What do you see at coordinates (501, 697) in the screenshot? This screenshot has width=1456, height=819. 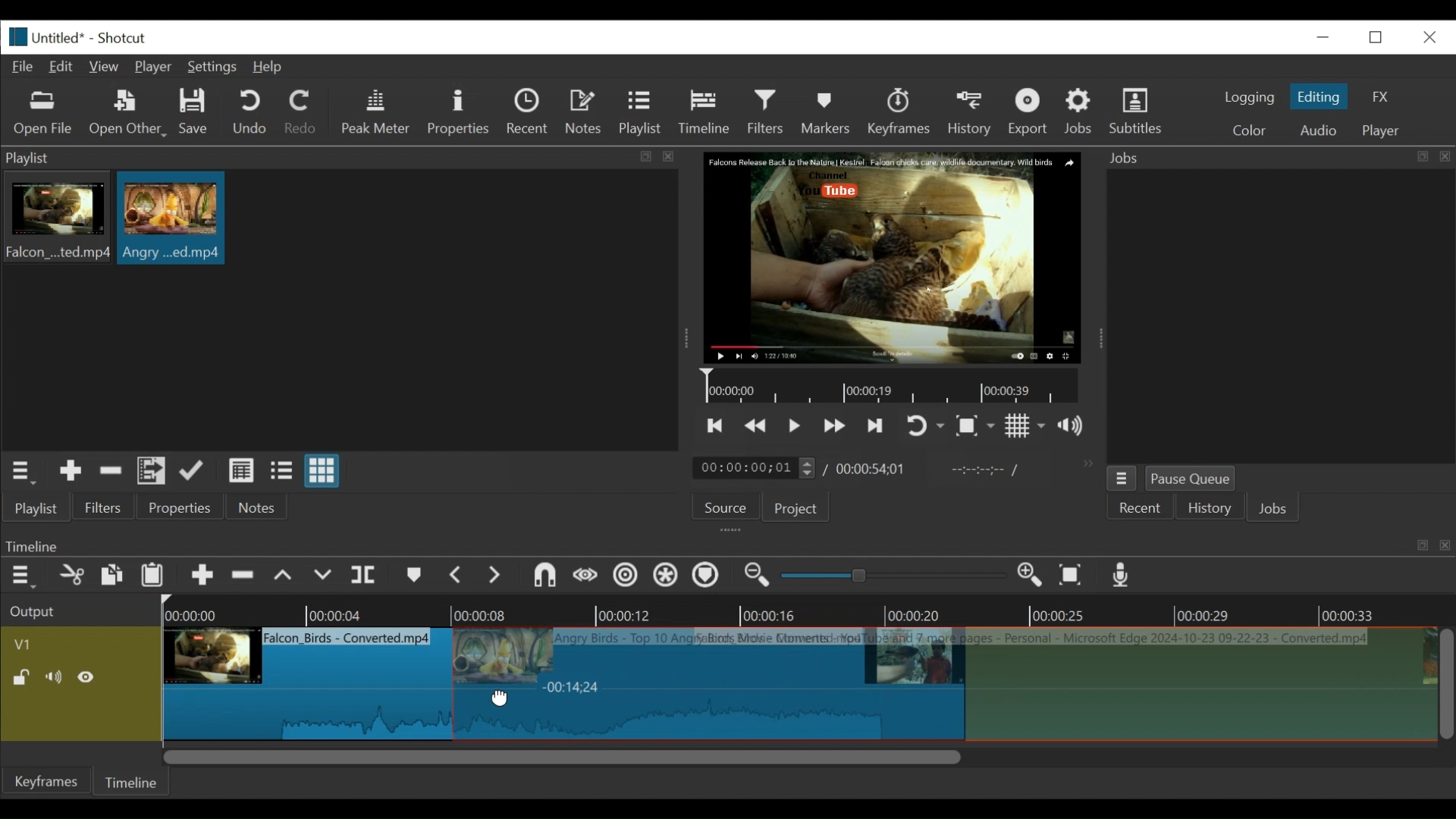 I see `cursor` at bounding box center [501, 697].